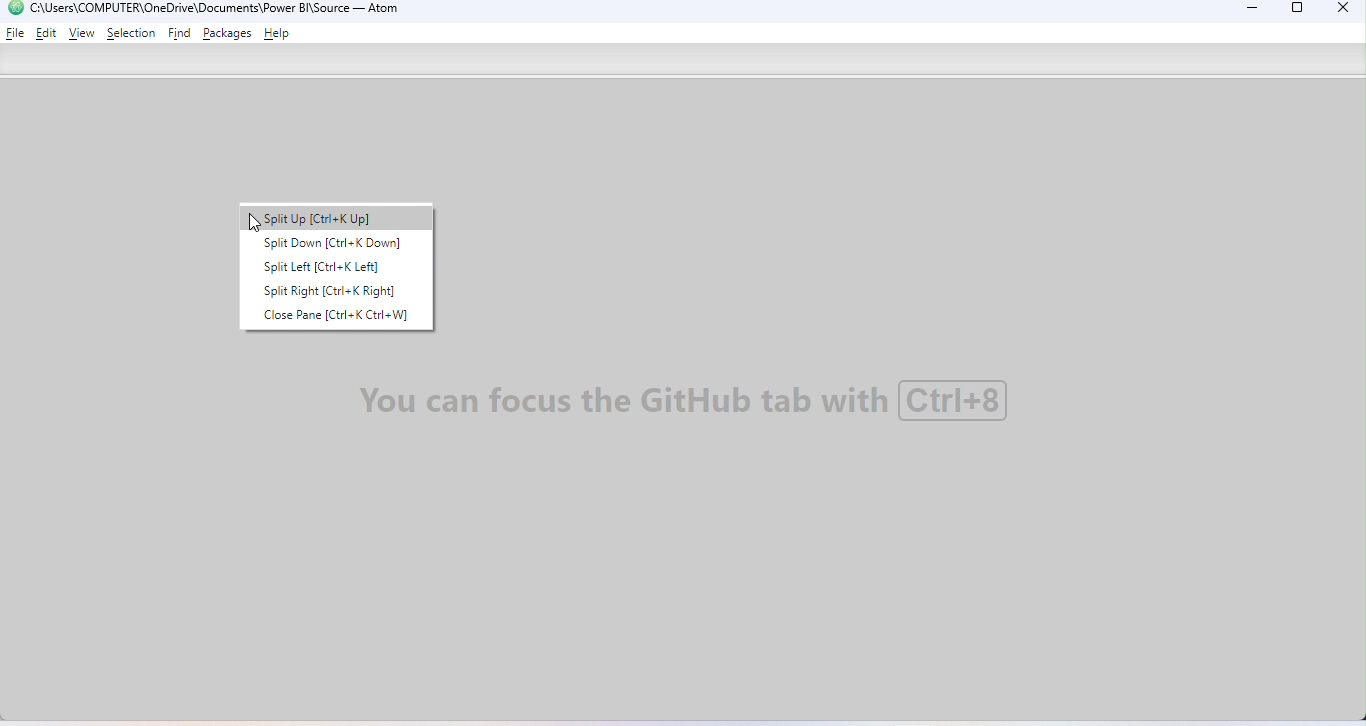 The image size is (1366, 726). Describe the element at coordinates (16, 32) in the screenshot. I see `File` at that location.